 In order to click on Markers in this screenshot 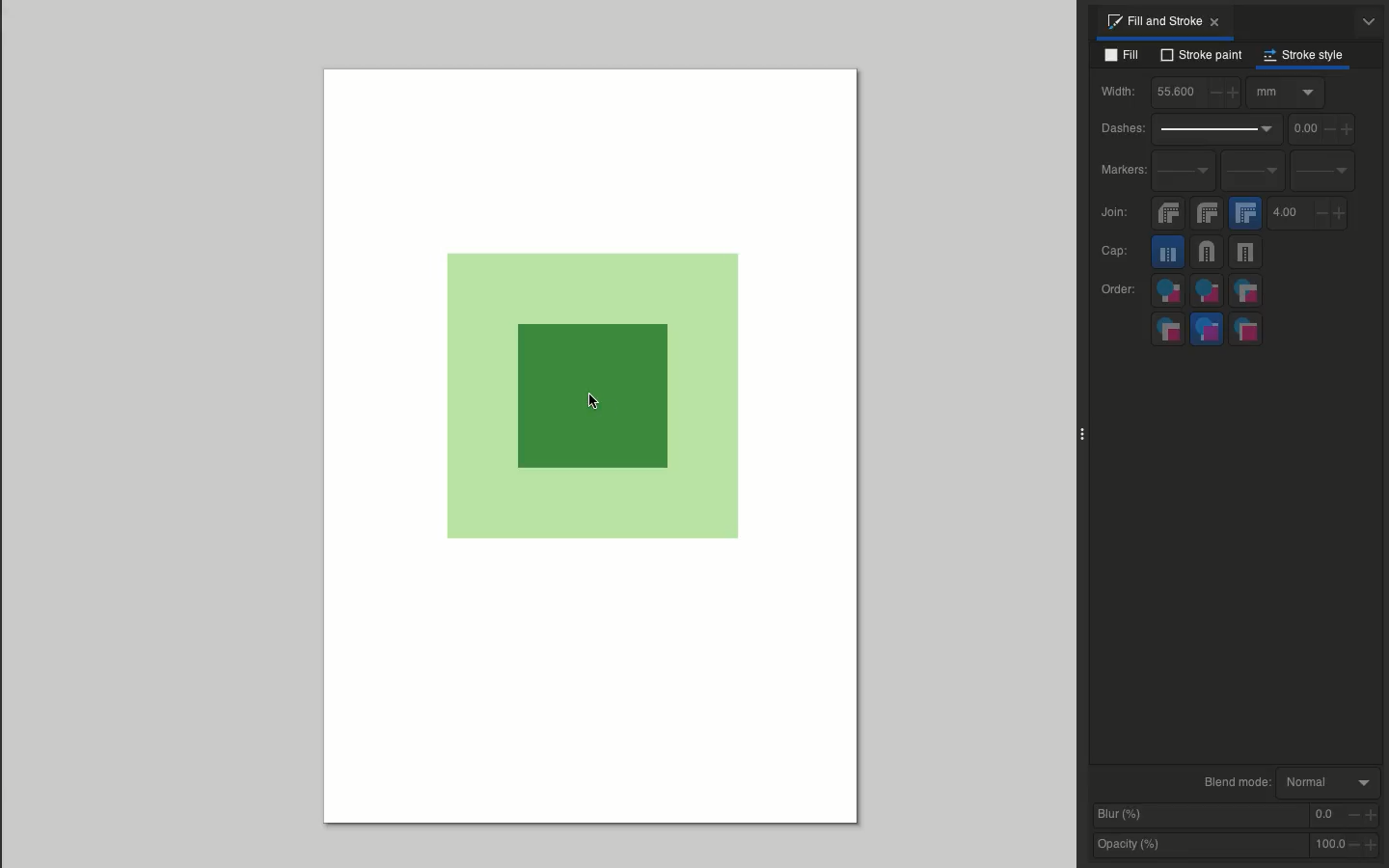, I will do `click(1122, 169)`.